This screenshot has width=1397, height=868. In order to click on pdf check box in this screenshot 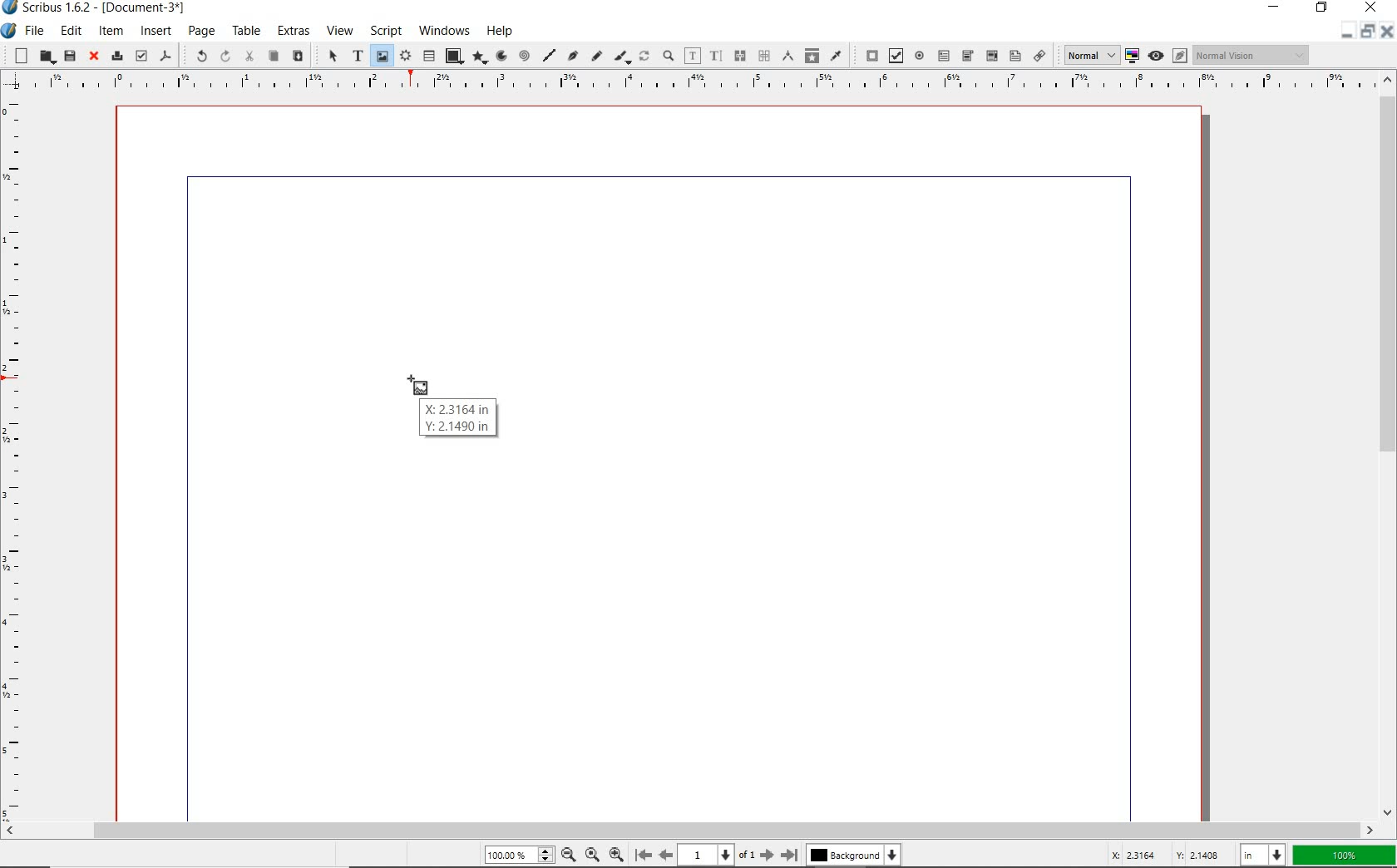, I will do `click(894, 55)`.